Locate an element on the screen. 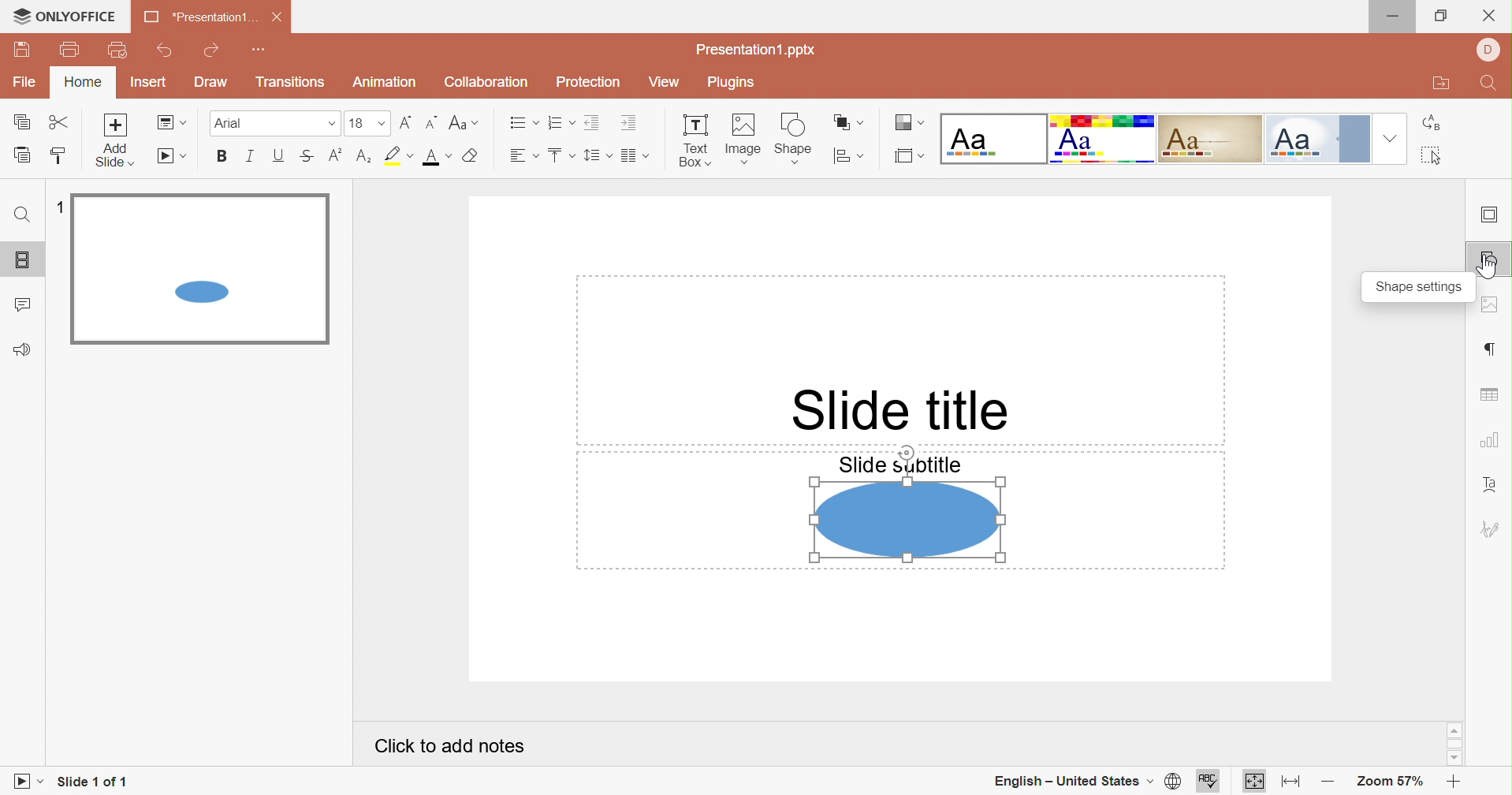 This screenshot has width=1512, height=795. Add Slide is located at coordinates (118, 139).